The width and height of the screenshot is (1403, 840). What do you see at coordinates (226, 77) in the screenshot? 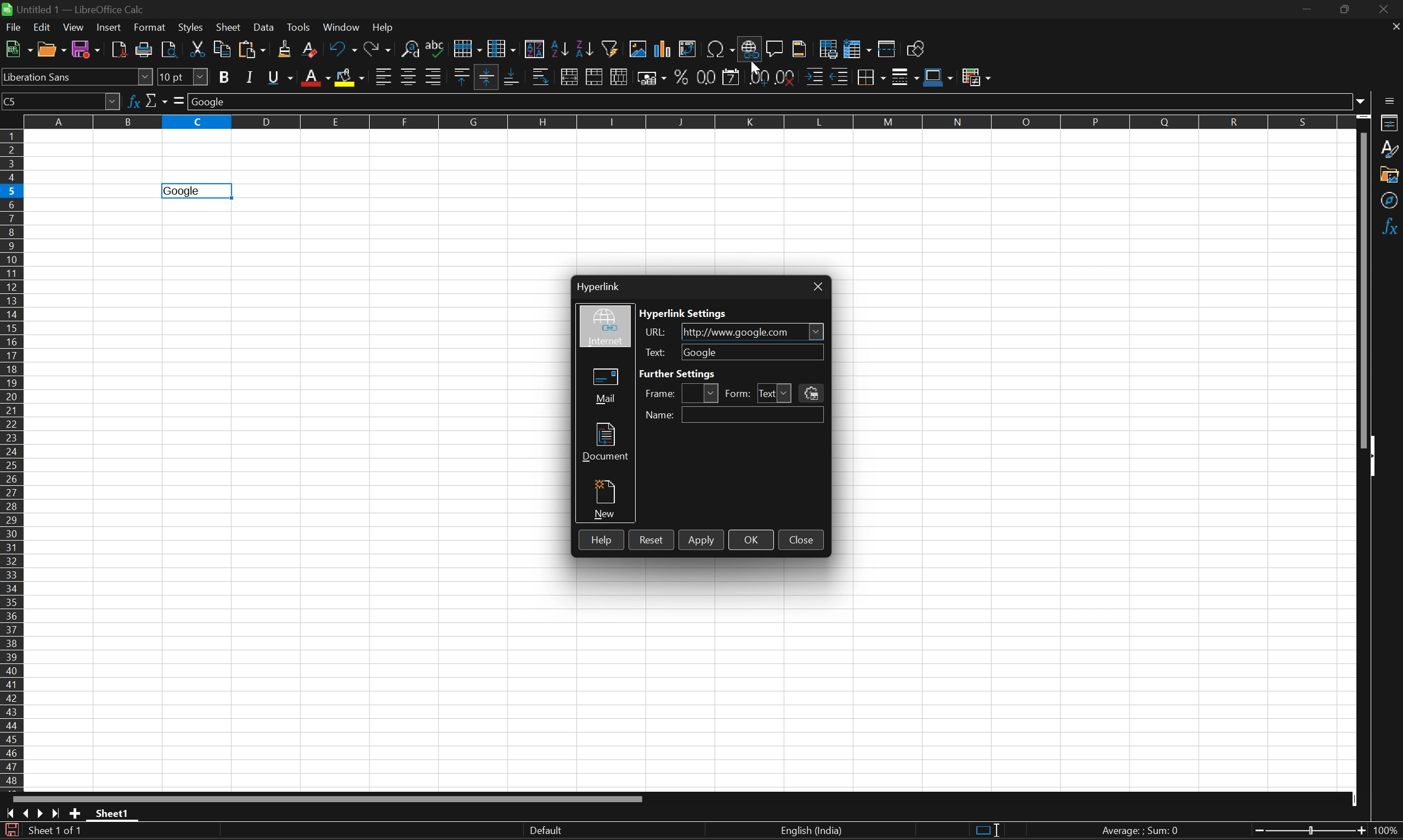
I see `Bold` at bounding box center [226, 77].